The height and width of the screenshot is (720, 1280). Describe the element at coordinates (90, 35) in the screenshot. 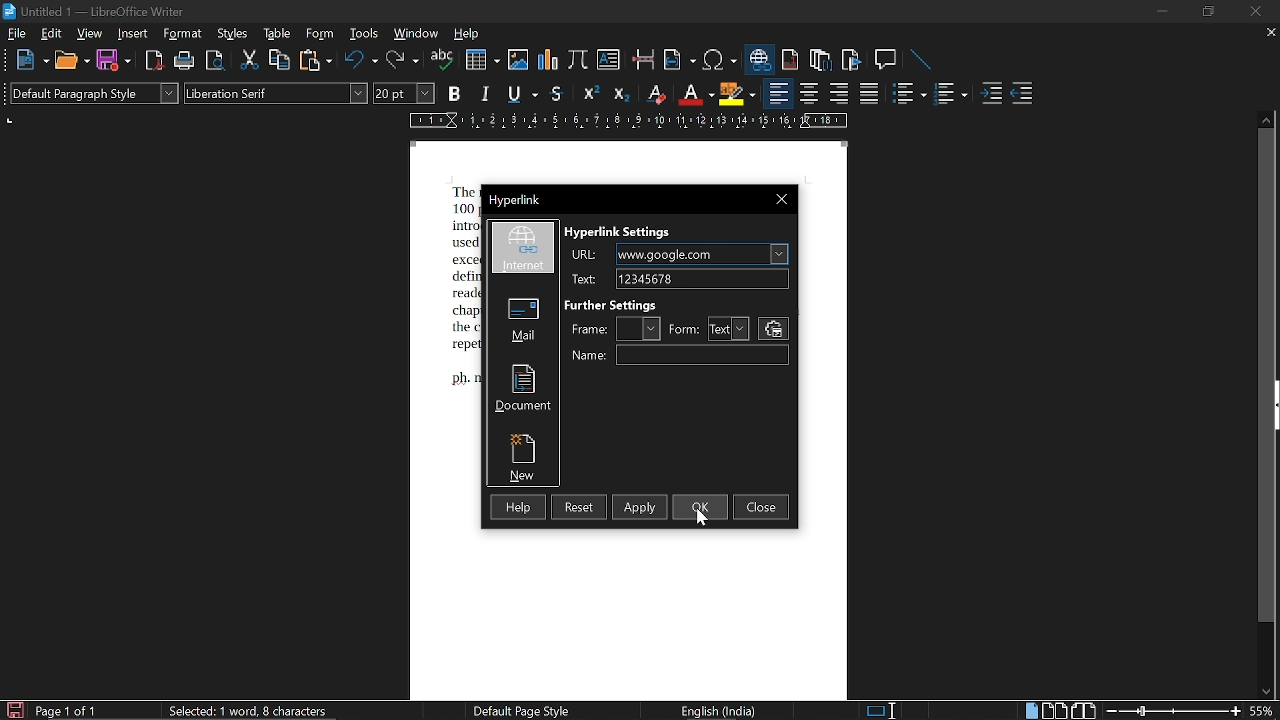

I see `view` at that location.